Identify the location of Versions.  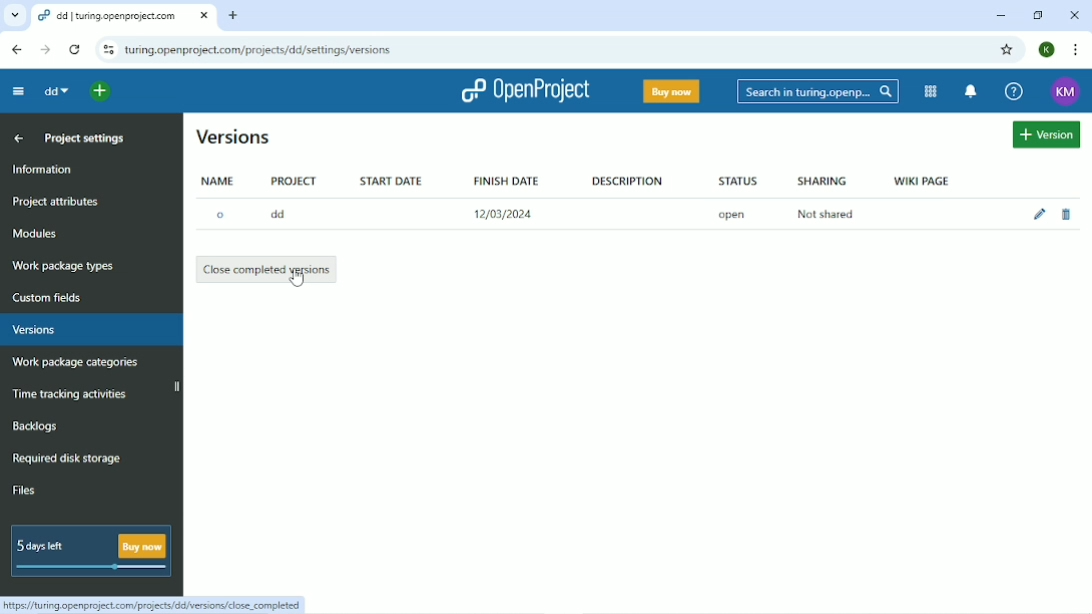
(36, 330).